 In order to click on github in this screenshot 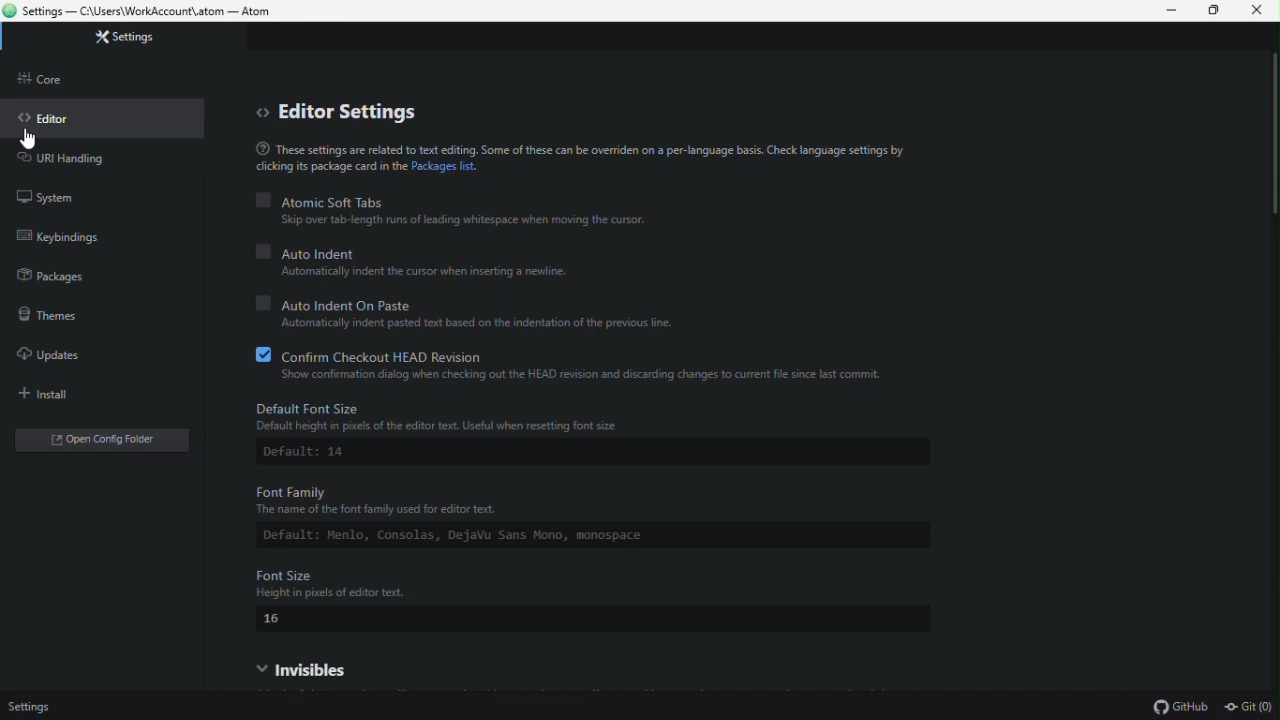, I will do `click(1177, 707)`.